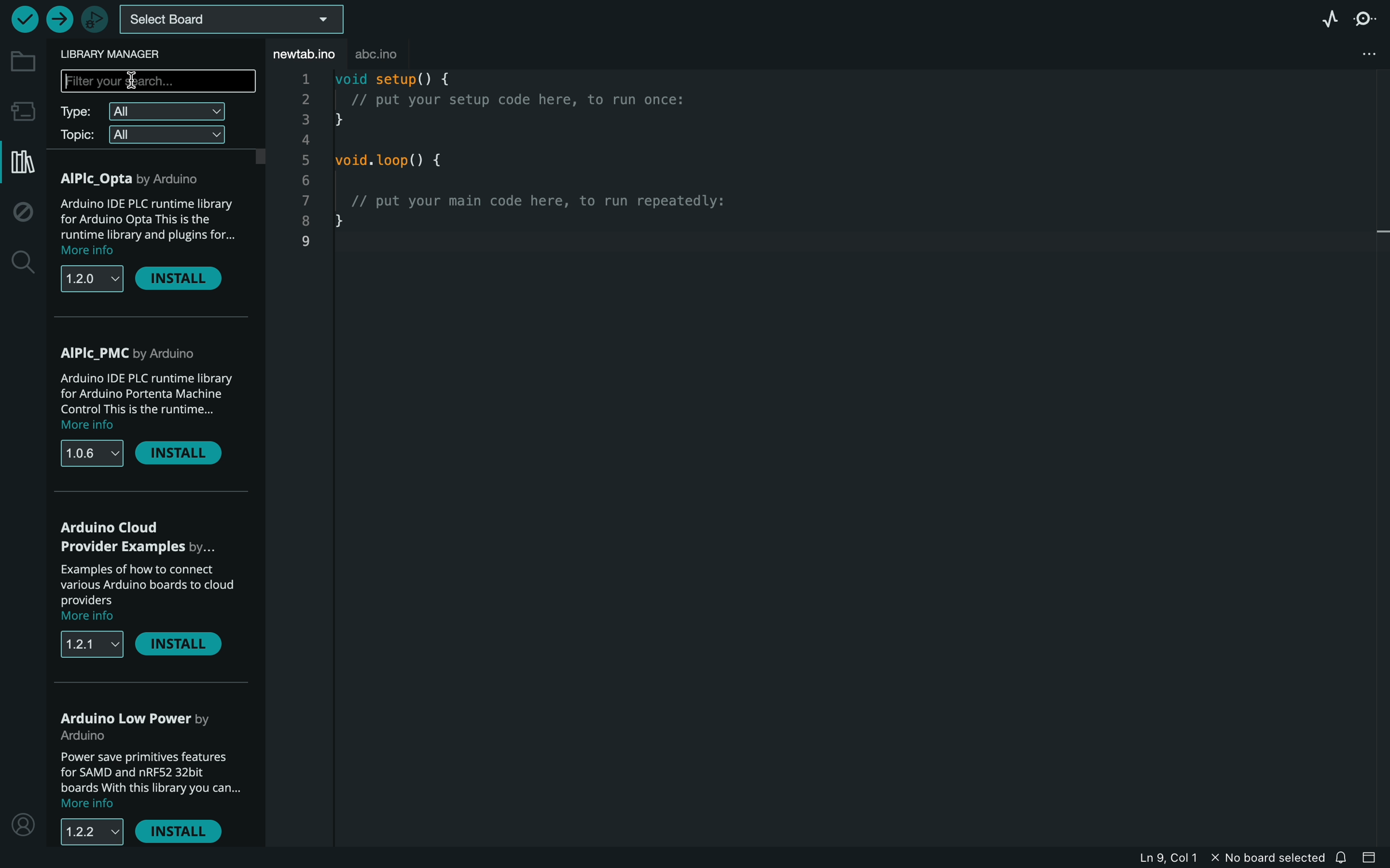 The width and height of the screenshot is (1390, 868). Describe the element at coordinates (135, 83) in the screenshot. I see `cursor` at that location.